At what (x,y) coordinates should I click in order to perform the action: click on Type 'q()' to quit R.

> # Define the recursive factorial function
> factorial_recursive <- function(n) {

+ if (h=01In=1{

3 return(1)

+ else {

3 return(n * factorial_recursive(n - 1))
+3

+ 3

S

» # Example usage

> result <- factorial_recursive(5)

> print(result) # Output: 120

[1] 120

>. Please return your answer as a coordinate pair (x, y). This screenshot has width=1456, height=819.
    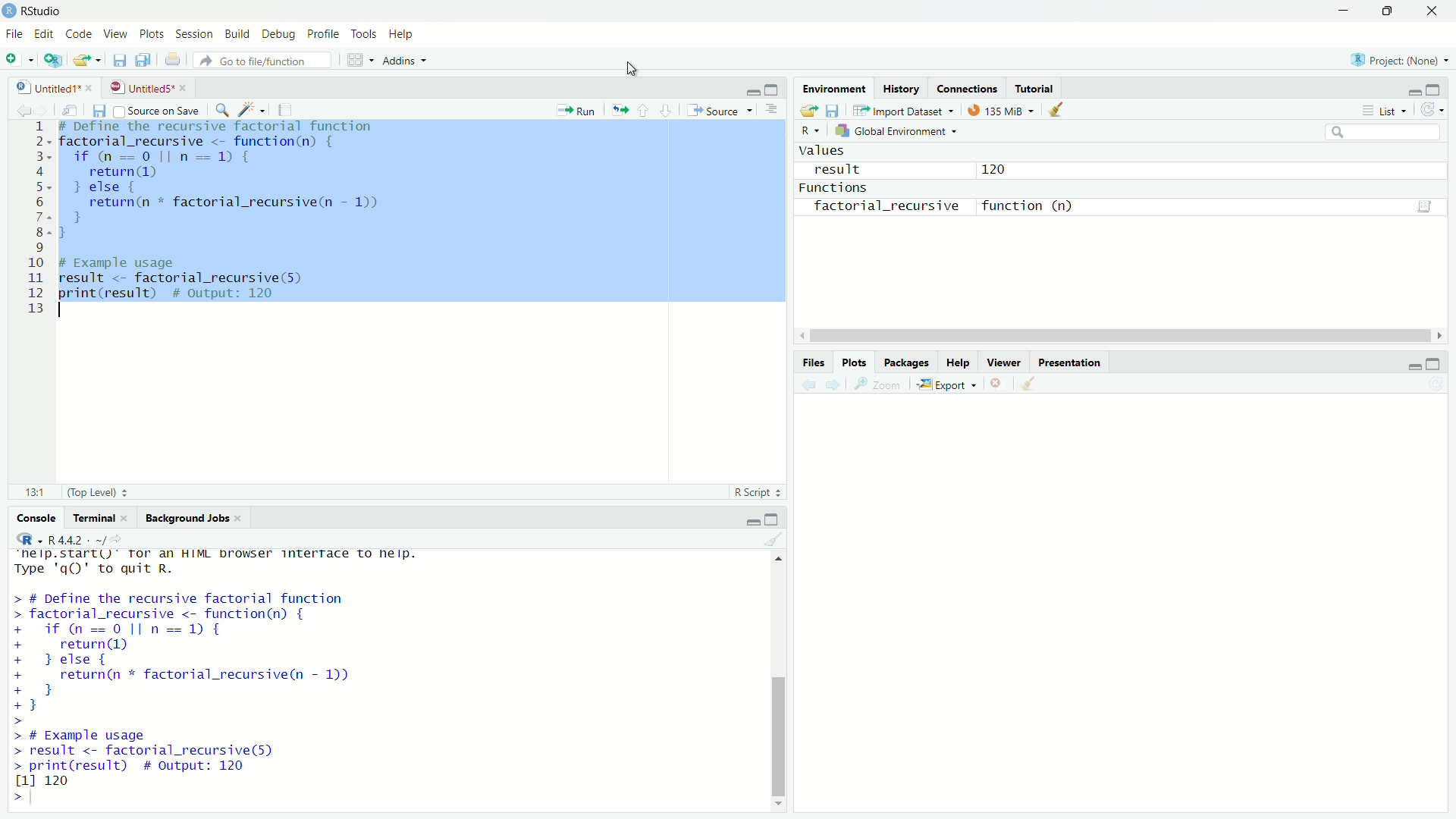
    Looking at the image, I should click on (251, 684).